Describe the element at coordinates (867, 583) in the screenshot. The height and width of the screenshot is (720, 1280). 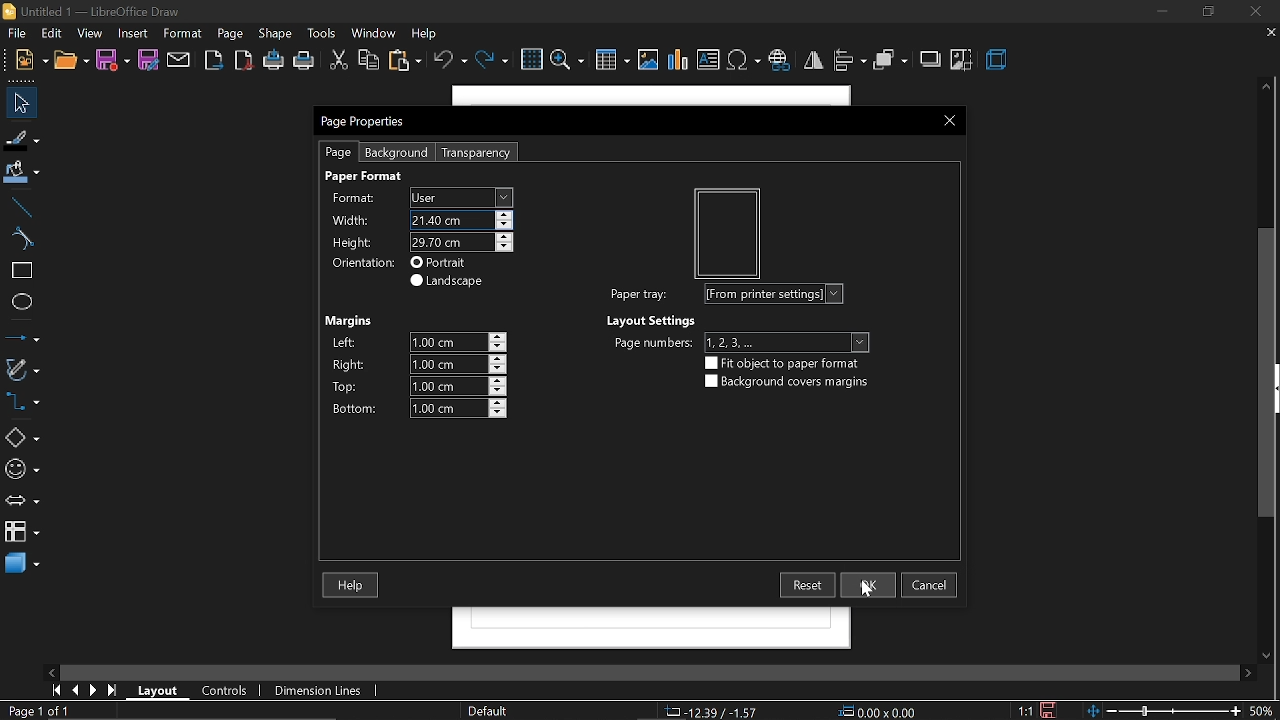
I see `ok` at that location.